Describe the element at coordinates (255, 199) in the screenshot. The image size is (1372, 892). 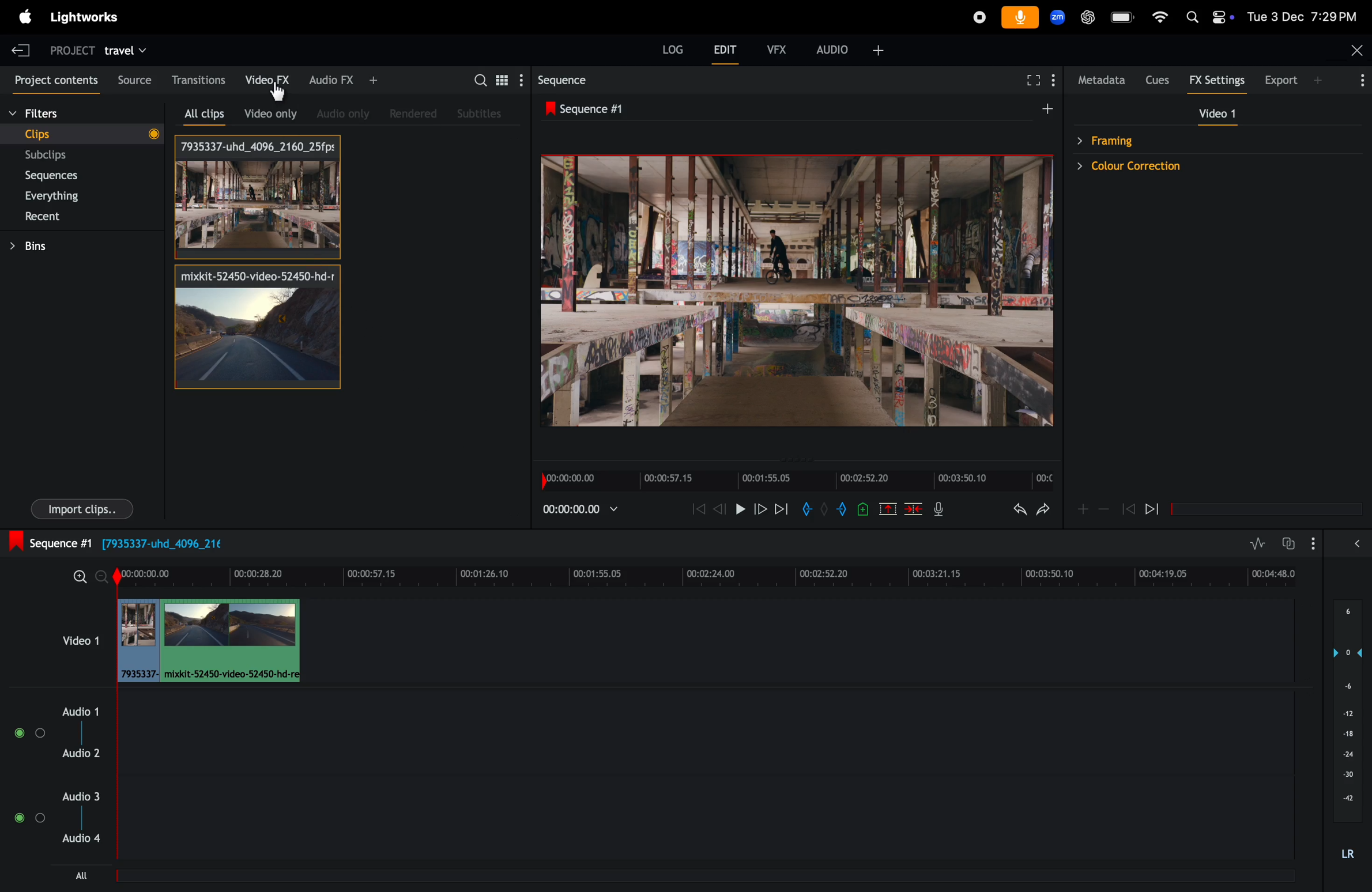
I see `Clips` at that location.